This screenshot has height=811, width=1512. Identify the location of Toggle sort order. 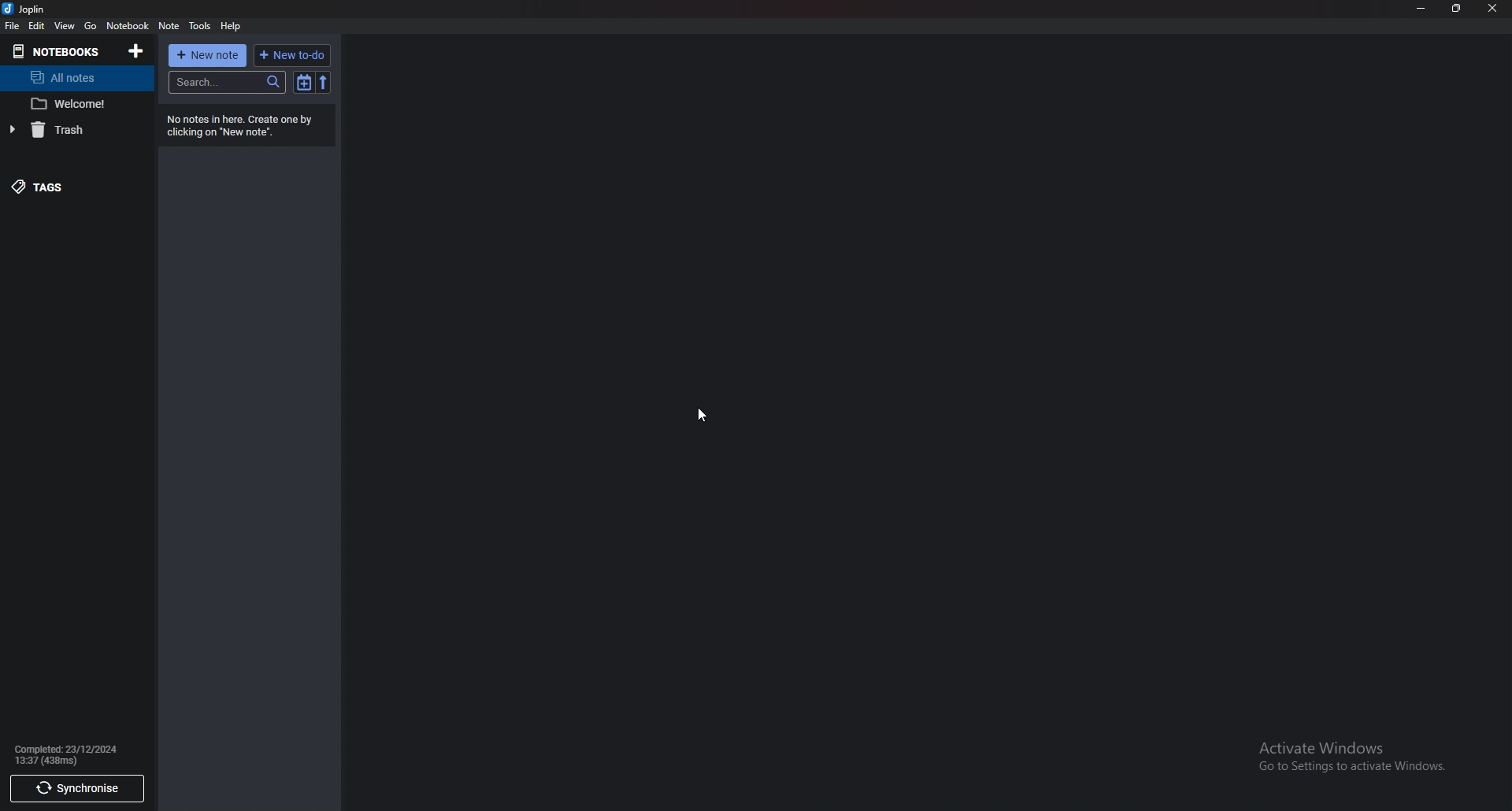
(302, 83).